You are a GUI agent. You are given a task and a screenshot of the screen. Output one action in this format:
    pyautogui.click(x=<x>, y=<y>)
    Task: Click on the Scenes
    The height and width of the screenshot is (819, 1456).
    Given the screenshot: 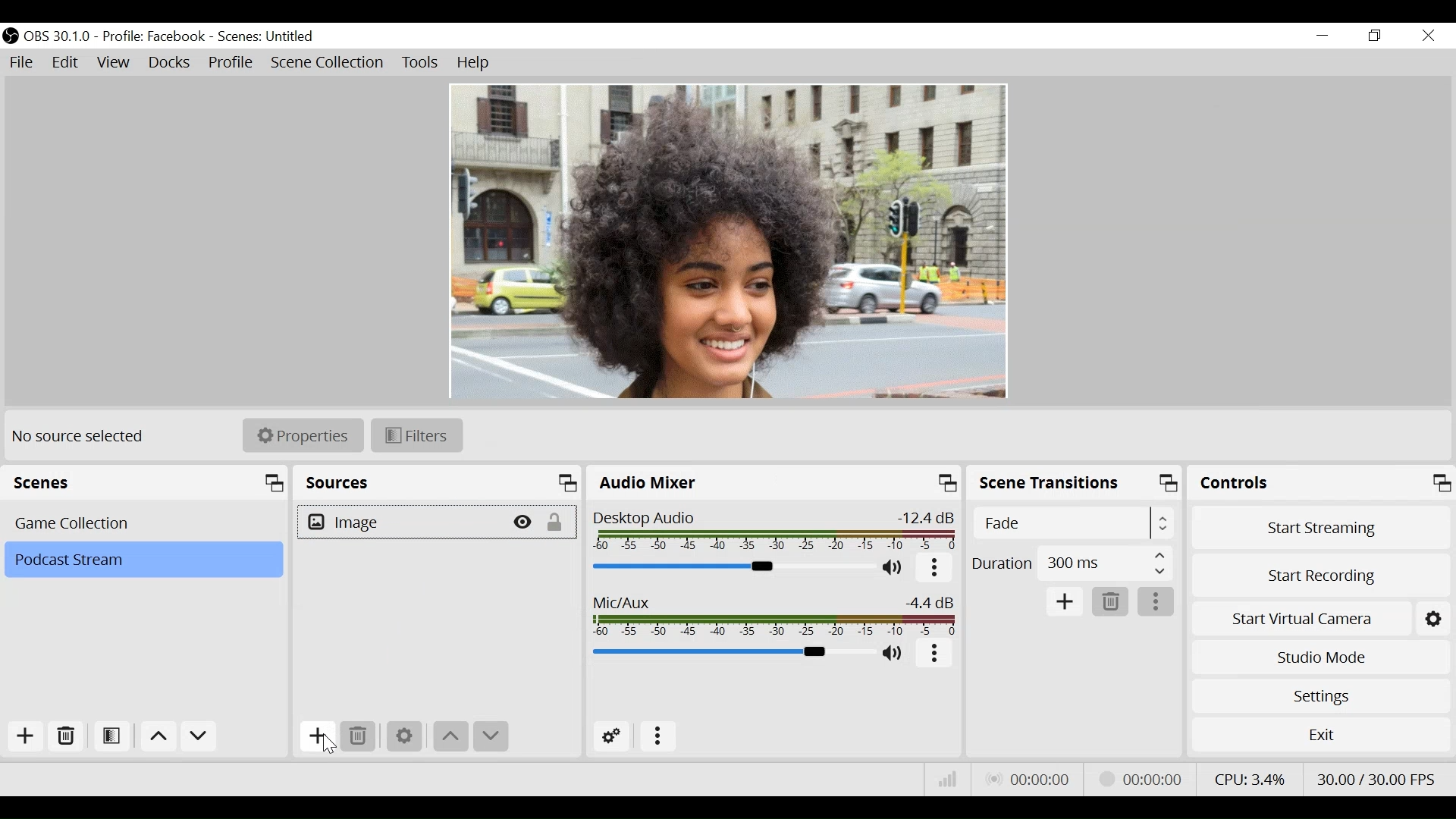 What is the action you would take?
    pyautogui.click(x=149, y=483)
    